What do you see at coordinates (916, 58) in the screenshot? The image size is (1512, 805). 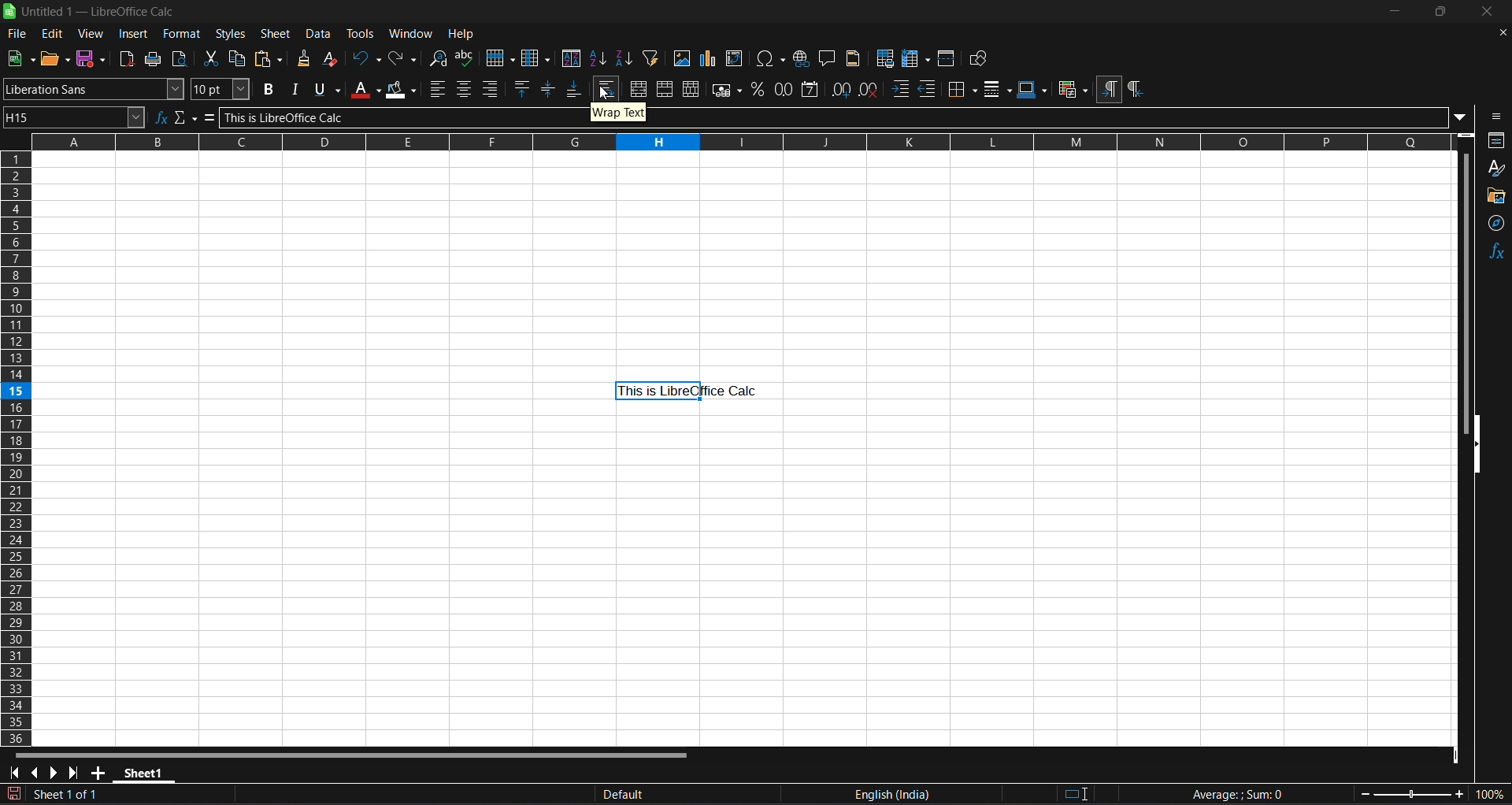 I see `freeze rows nd columns` at bounding box center [916, 58].